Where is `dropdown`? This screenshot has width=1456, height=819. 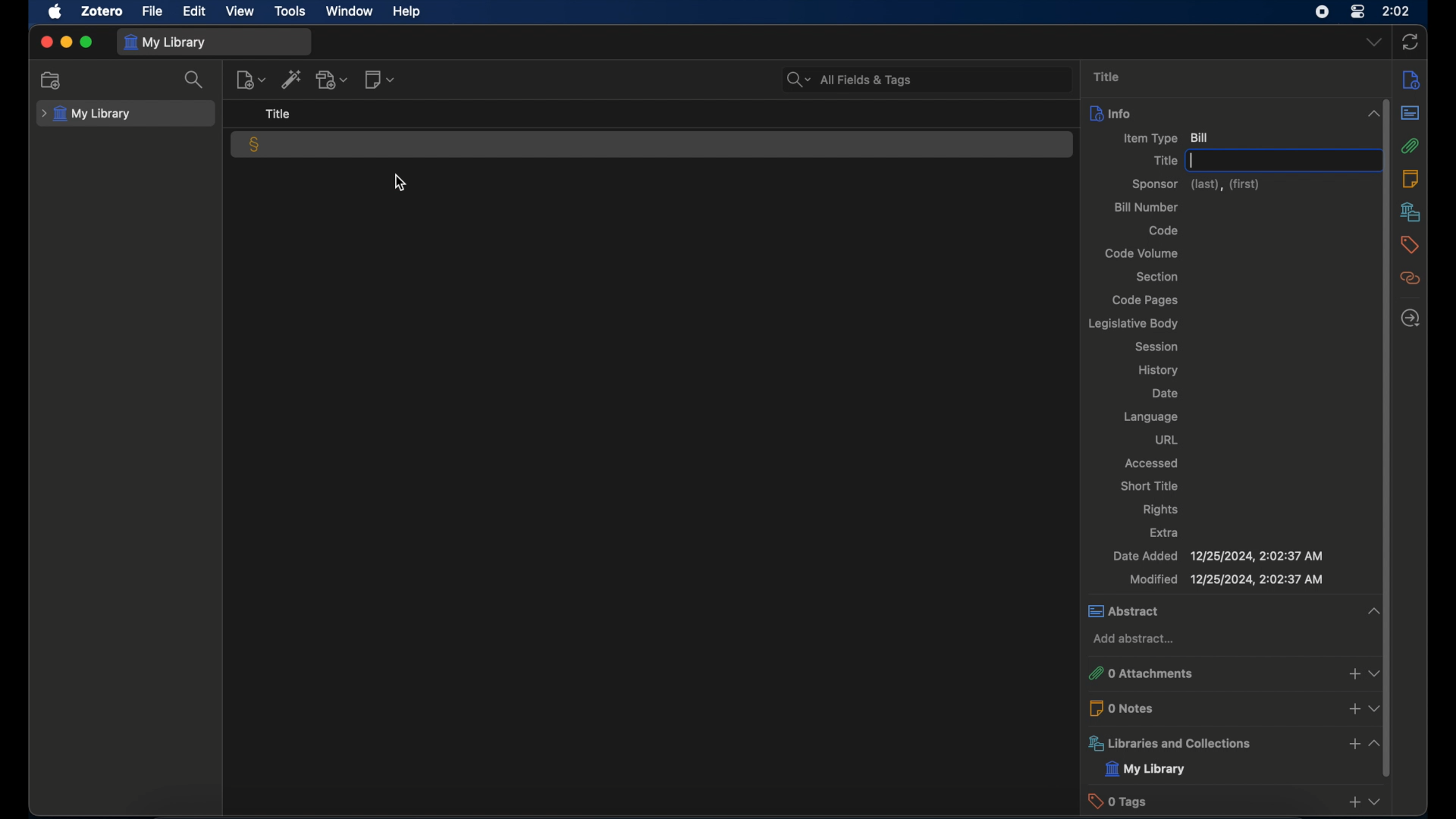
dropdown is located at coordinates (1373, 42).